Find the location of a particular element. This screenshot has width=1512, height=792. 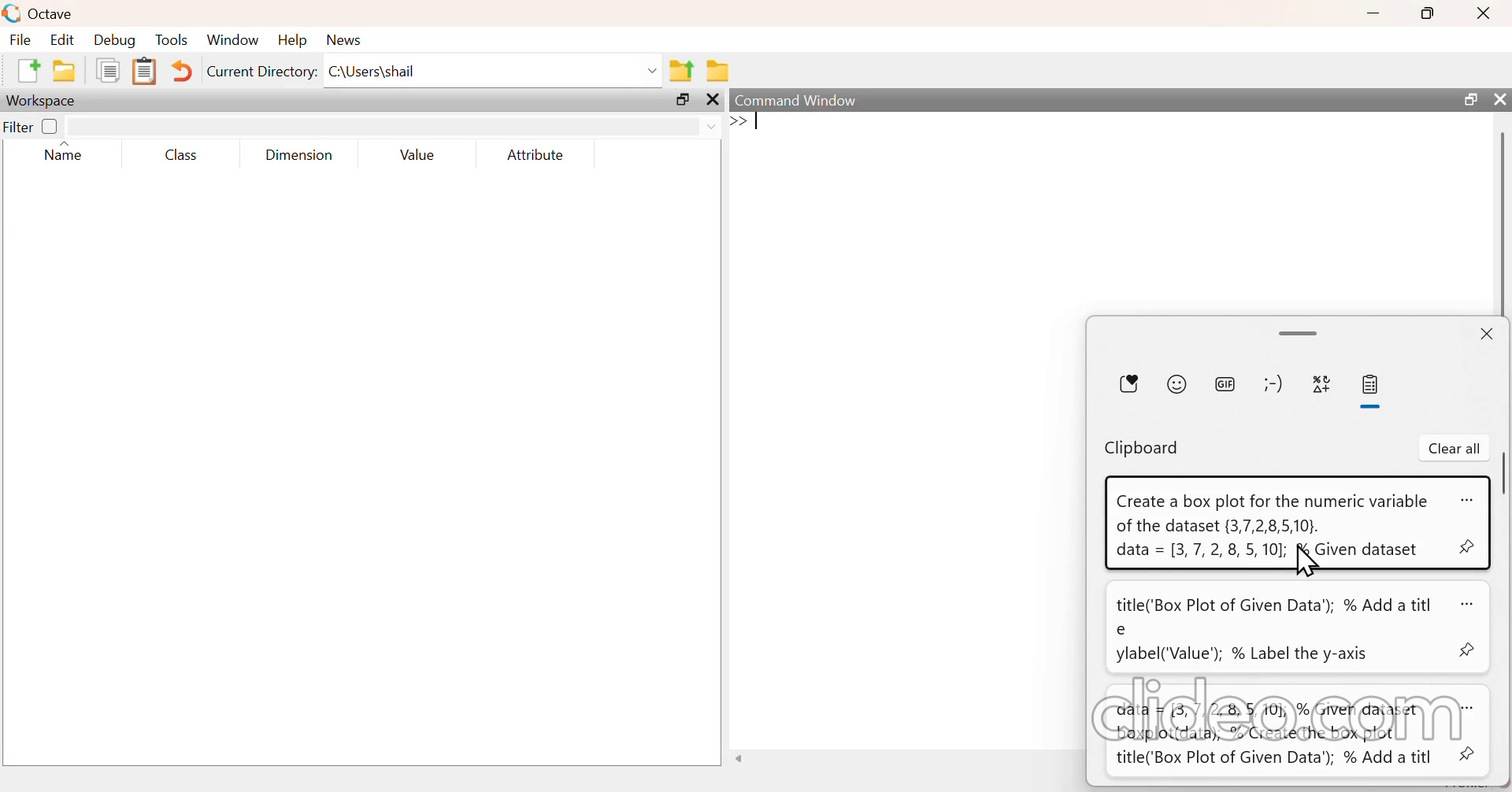

close is located at coordinates (1488, 335).